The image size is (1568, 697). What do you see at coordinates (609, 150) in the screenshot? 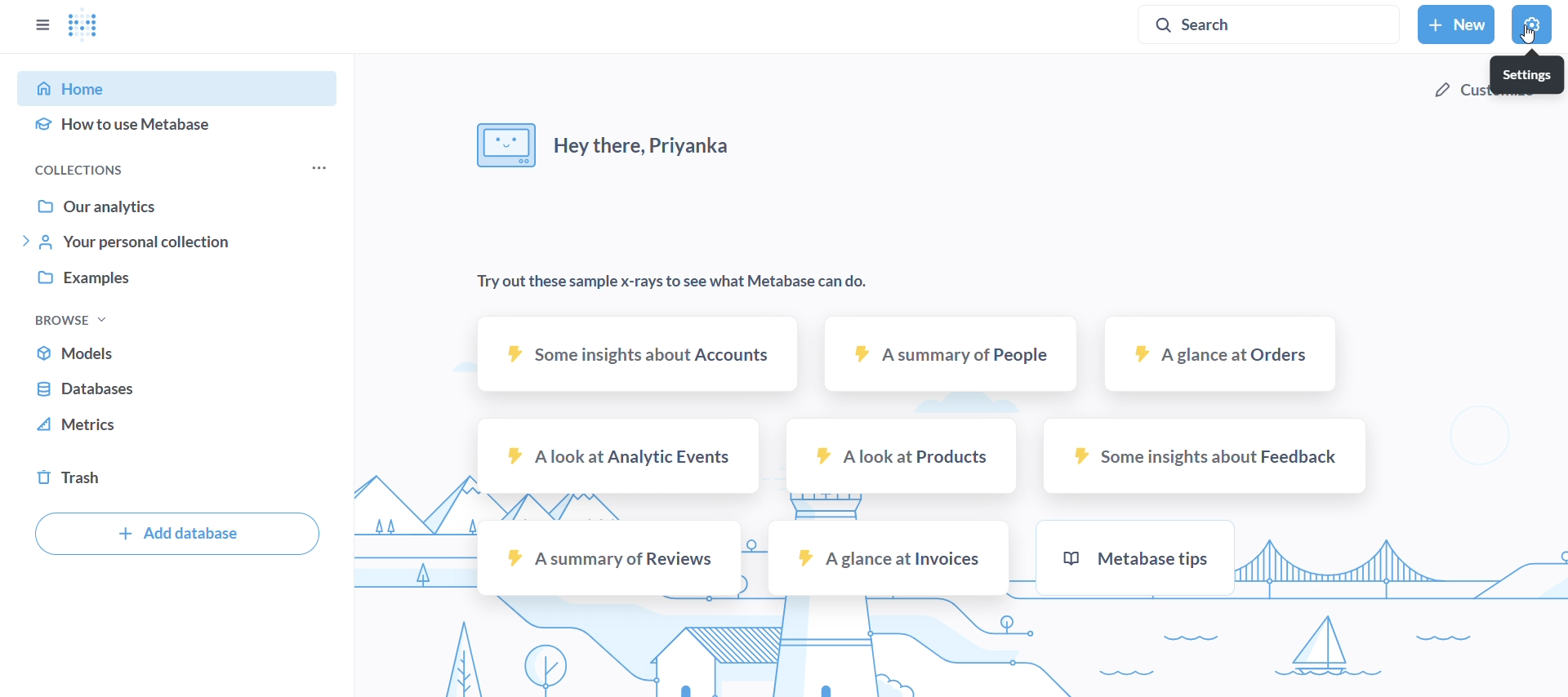
I see `hey there, priyanka` at bounding box center [609, 150].